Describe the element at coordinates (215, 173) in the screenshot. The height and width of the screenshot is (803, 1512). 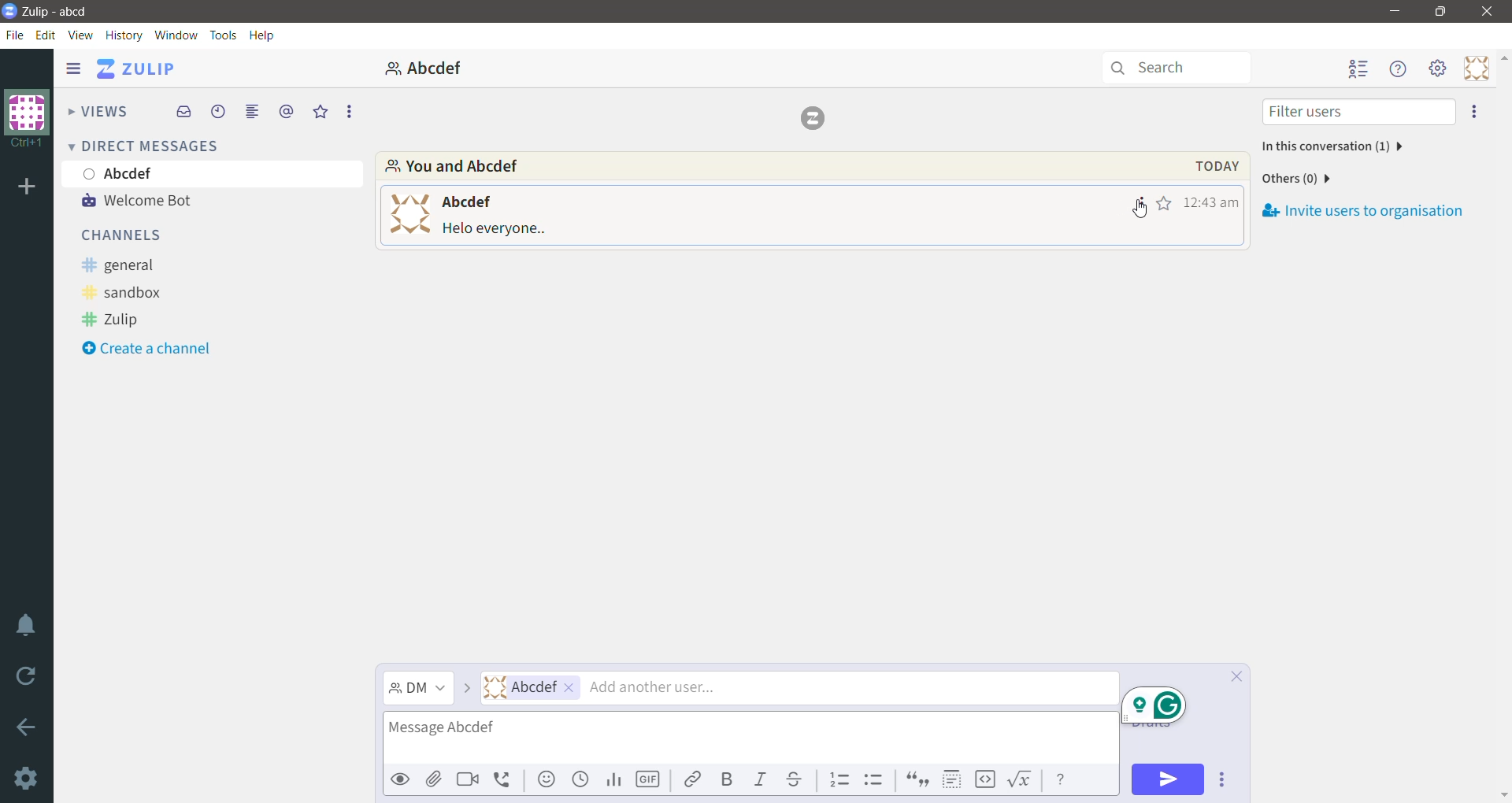
I see `User` at that location.